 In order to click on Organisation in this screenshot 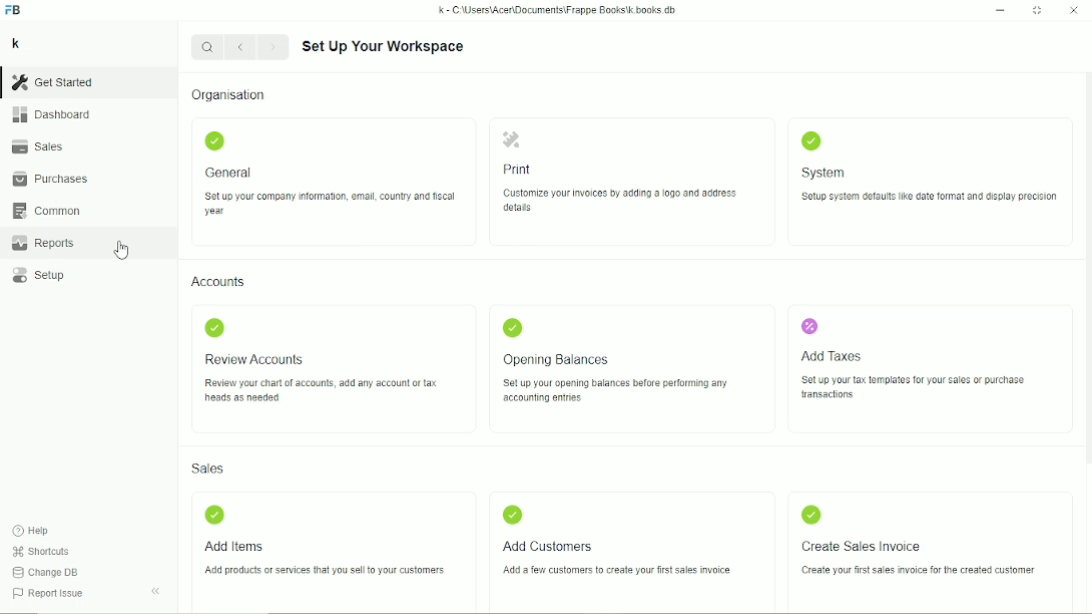, I will do `click(228, 94)`.